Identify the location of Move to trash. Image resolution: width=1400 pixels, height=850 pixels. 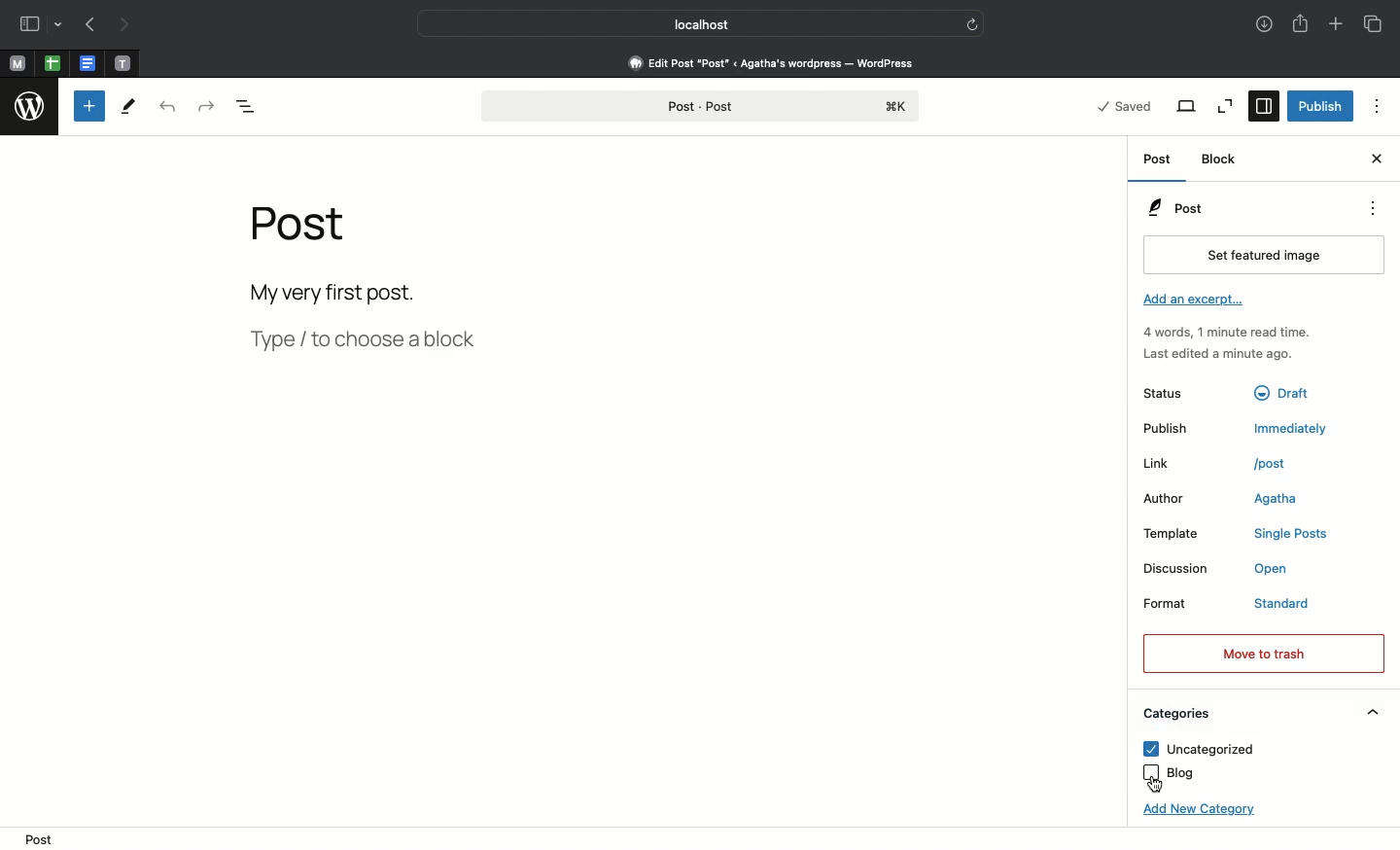
(1262, 653).